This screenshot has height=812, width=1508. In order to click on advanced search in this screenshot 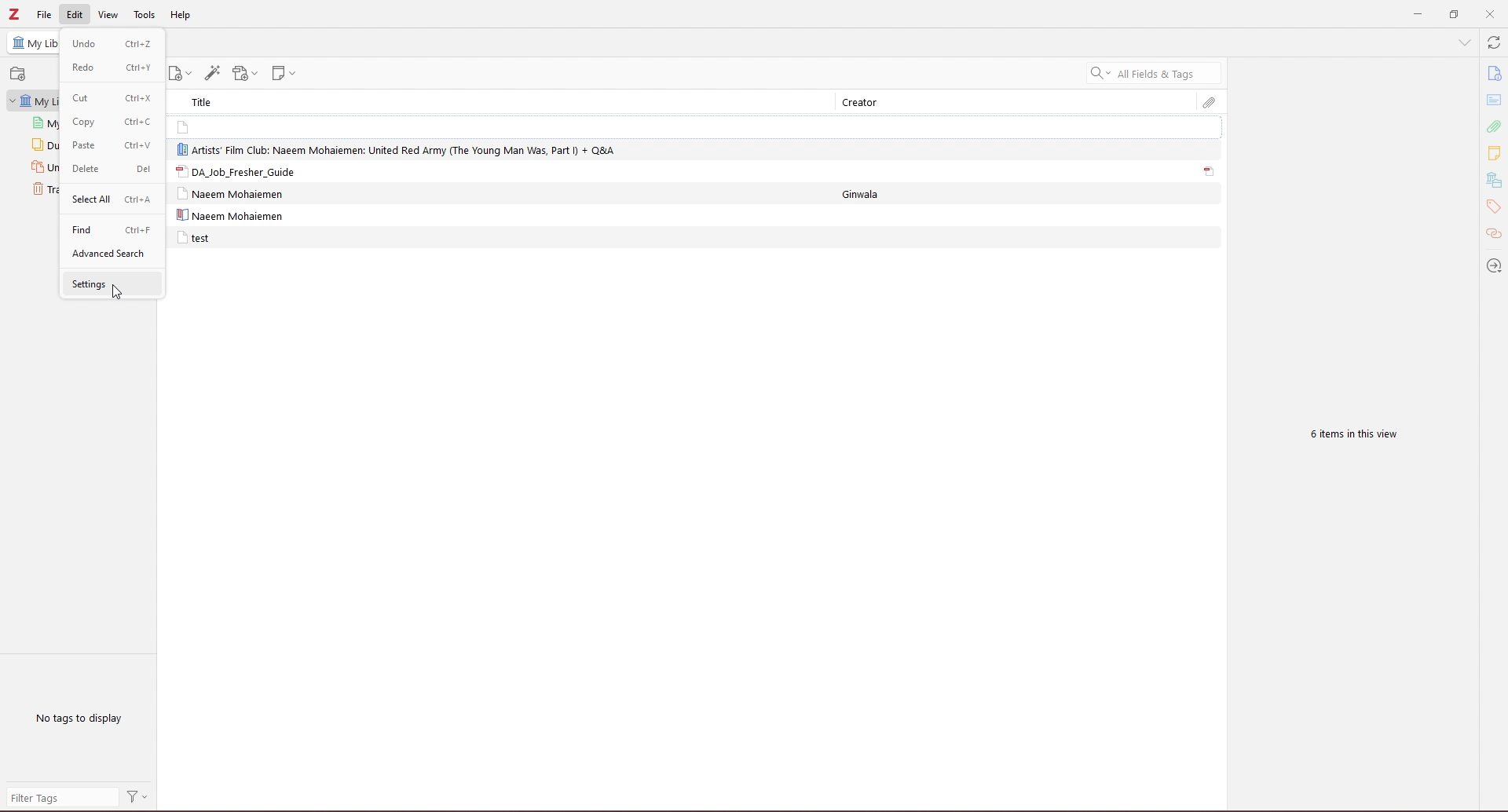, I will do `click(112, 254)`.